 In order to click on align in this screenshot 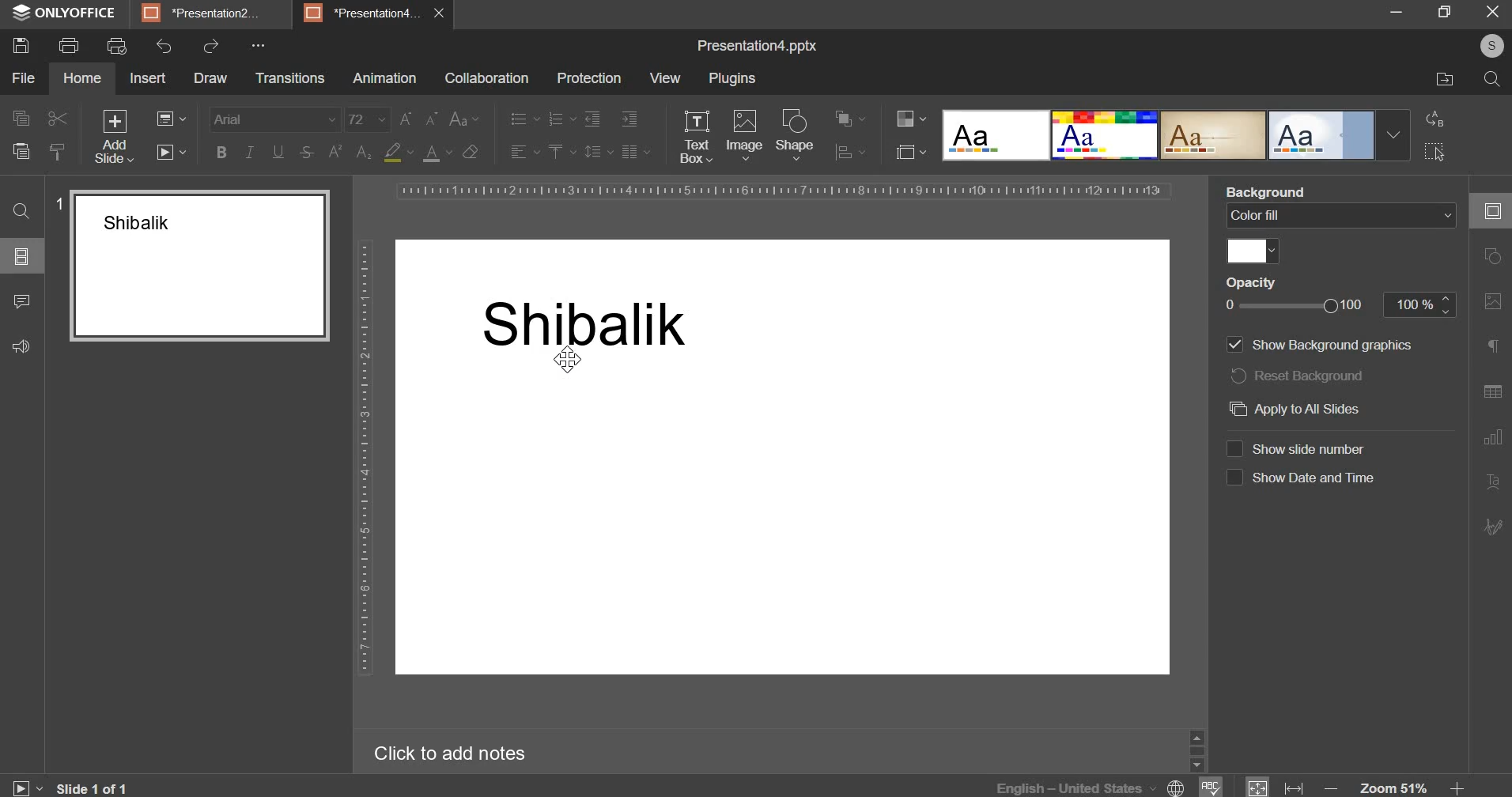, I will do `click(849, 154)`.